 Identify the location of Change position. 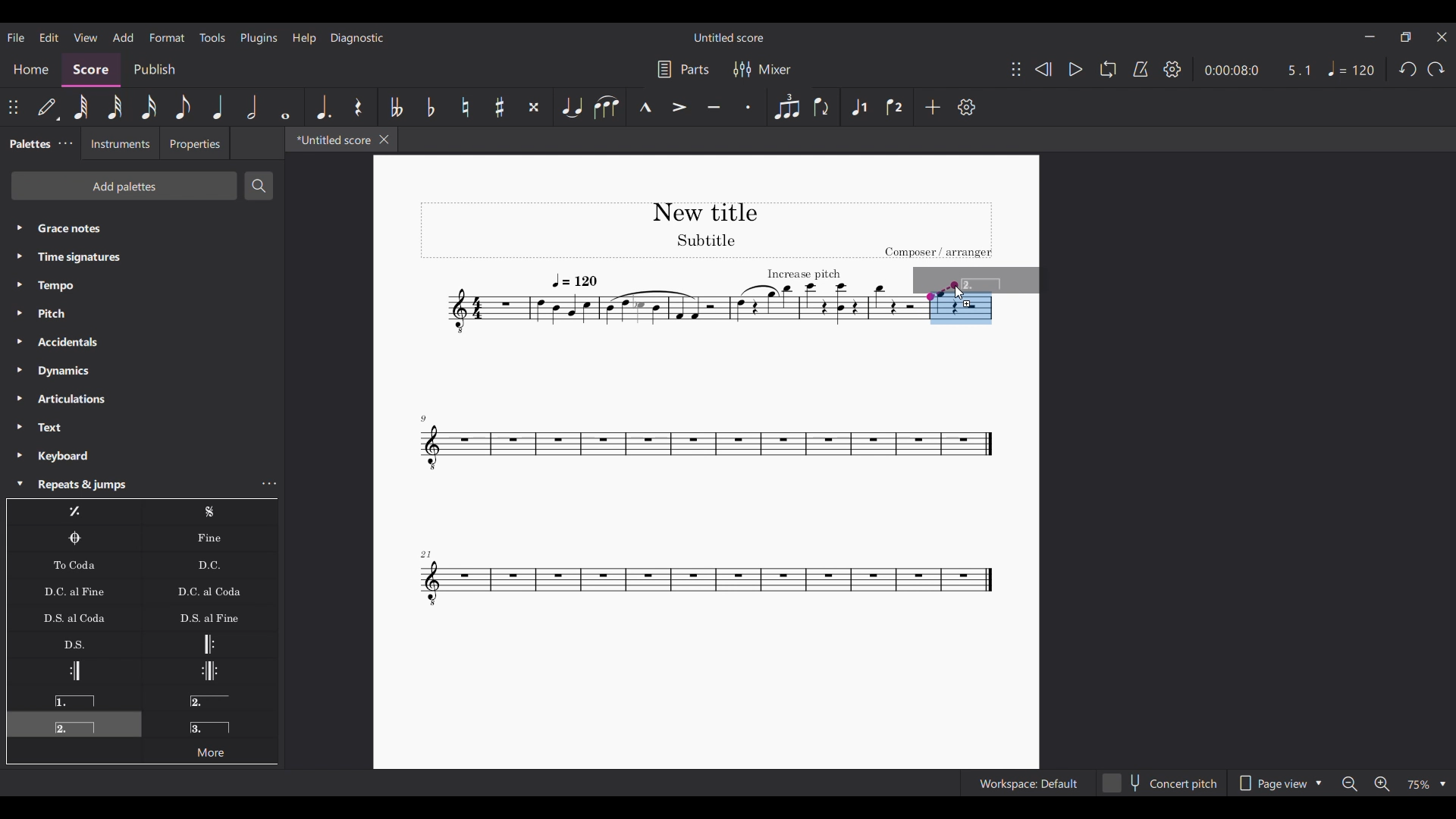
(1016, 69).